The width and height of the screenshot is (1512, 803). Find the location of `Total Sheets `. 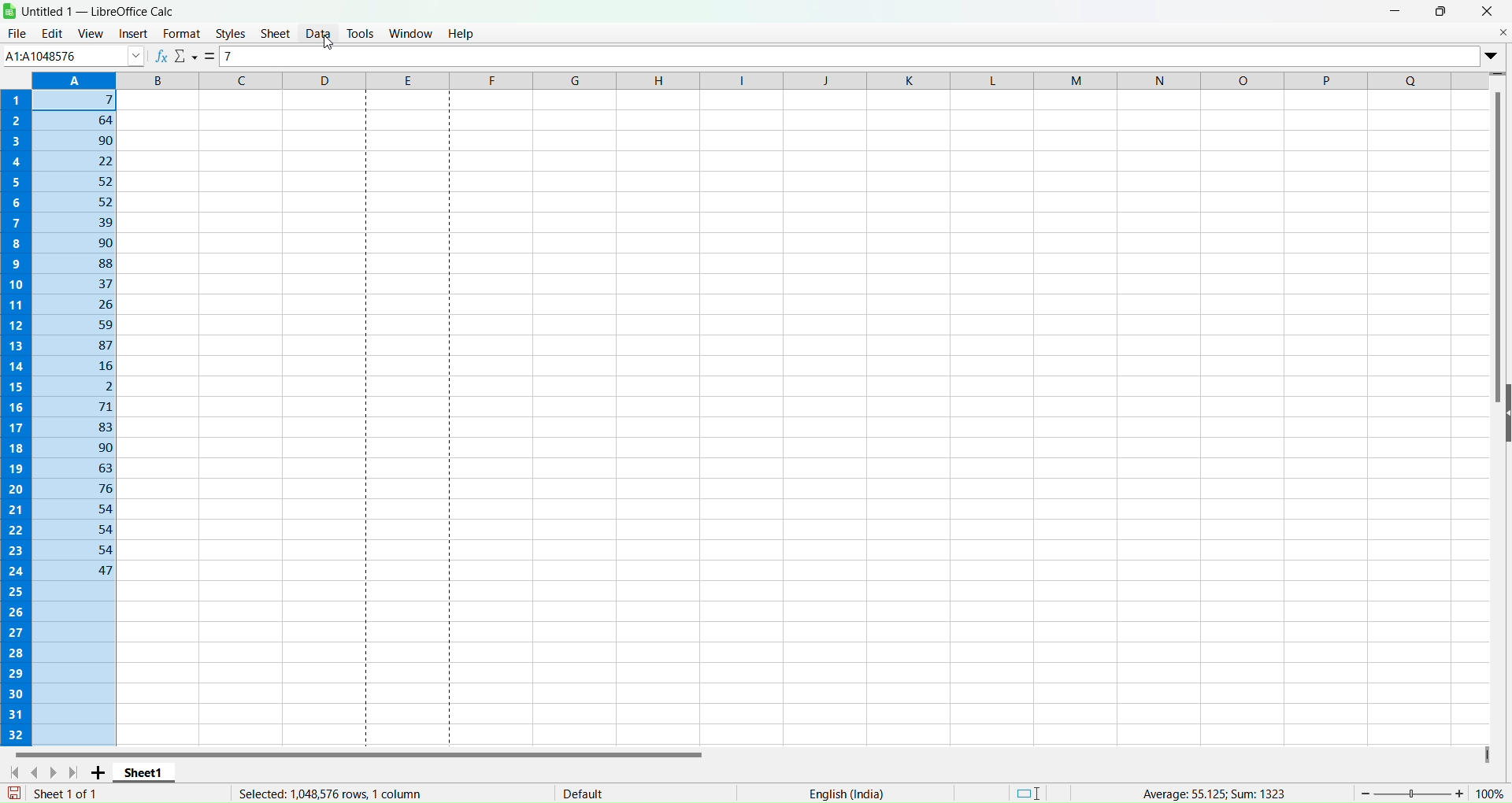

Total Sheets  is located at coordinates (65, 793).